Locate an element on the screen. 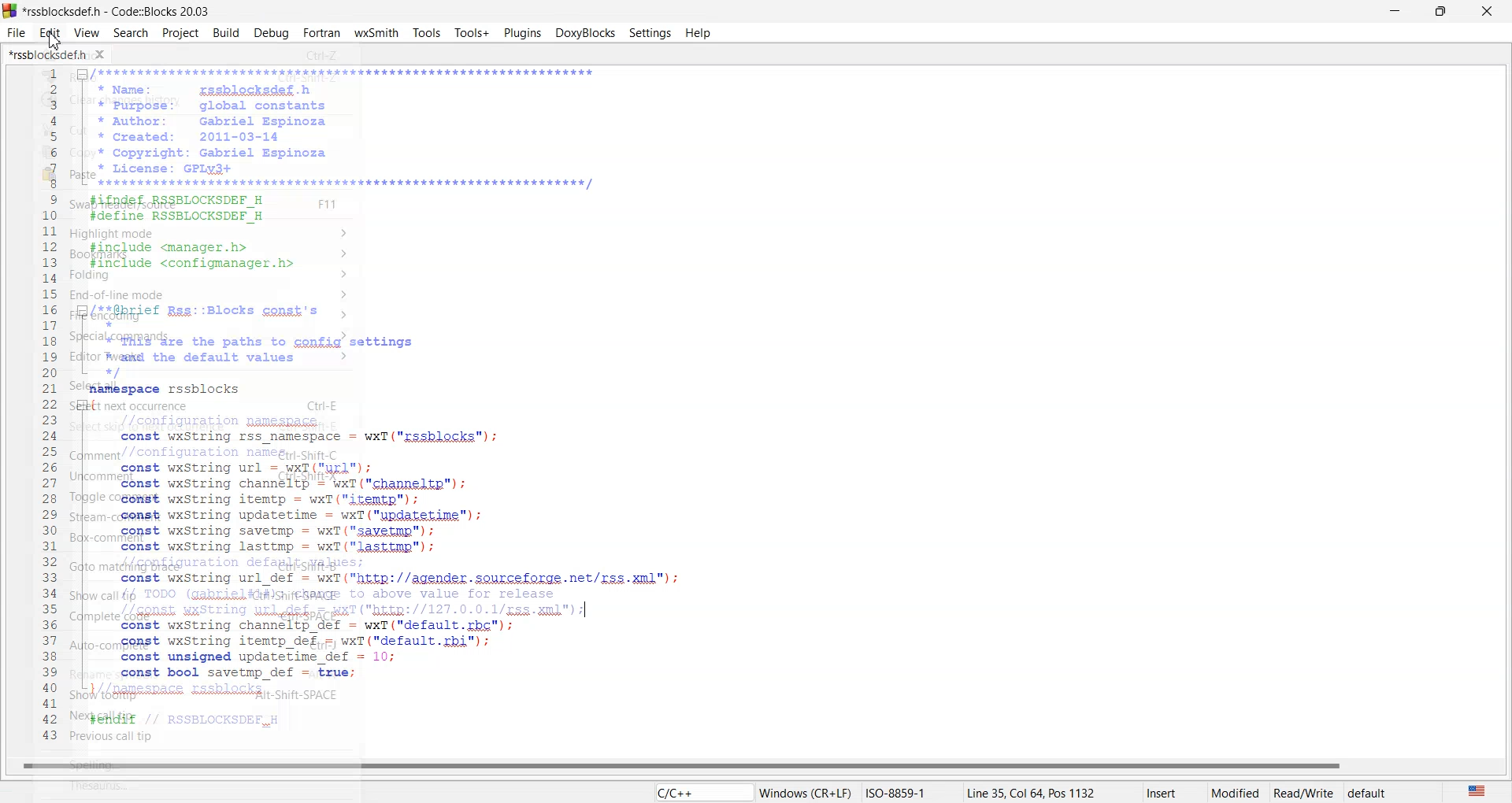 The width and height of the screenshot is (1512, 803). Search is located at coordinates (131, 34).